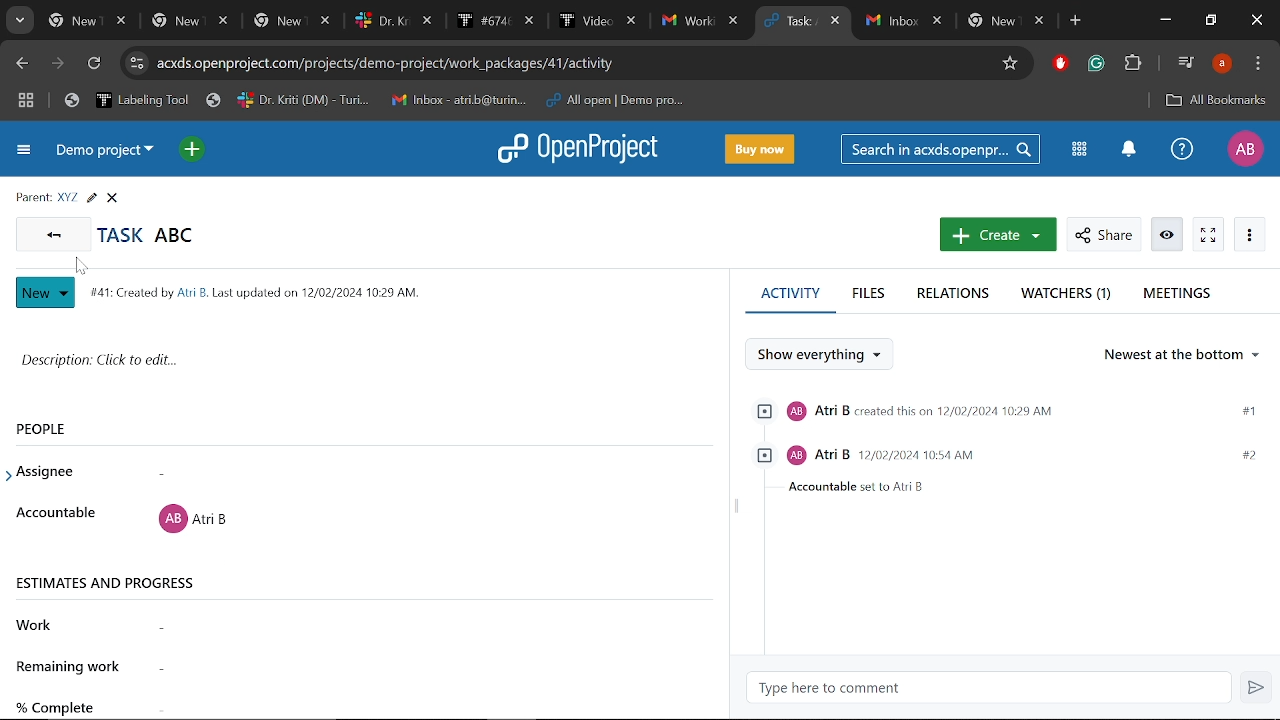  What do you see at coordinates (409, 523) in the screenshot?
I see `Task assigned to a user` at bounding box center [409, 523].